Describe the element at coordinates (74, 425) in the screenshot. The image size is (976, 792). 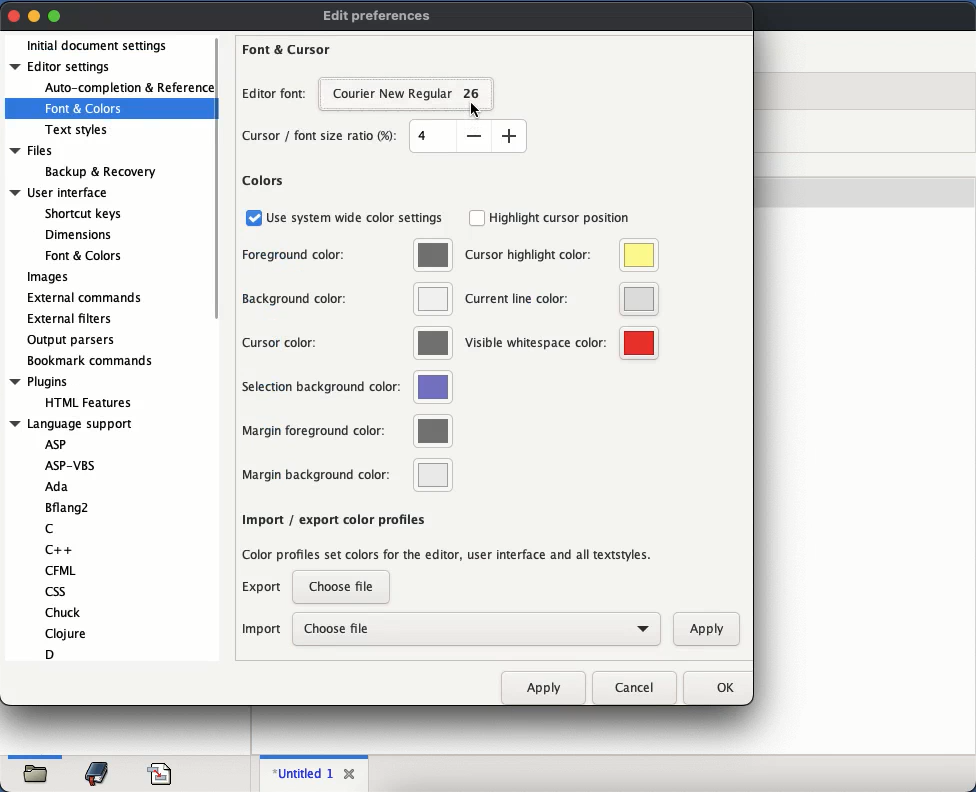
I see `Language support` at that location.